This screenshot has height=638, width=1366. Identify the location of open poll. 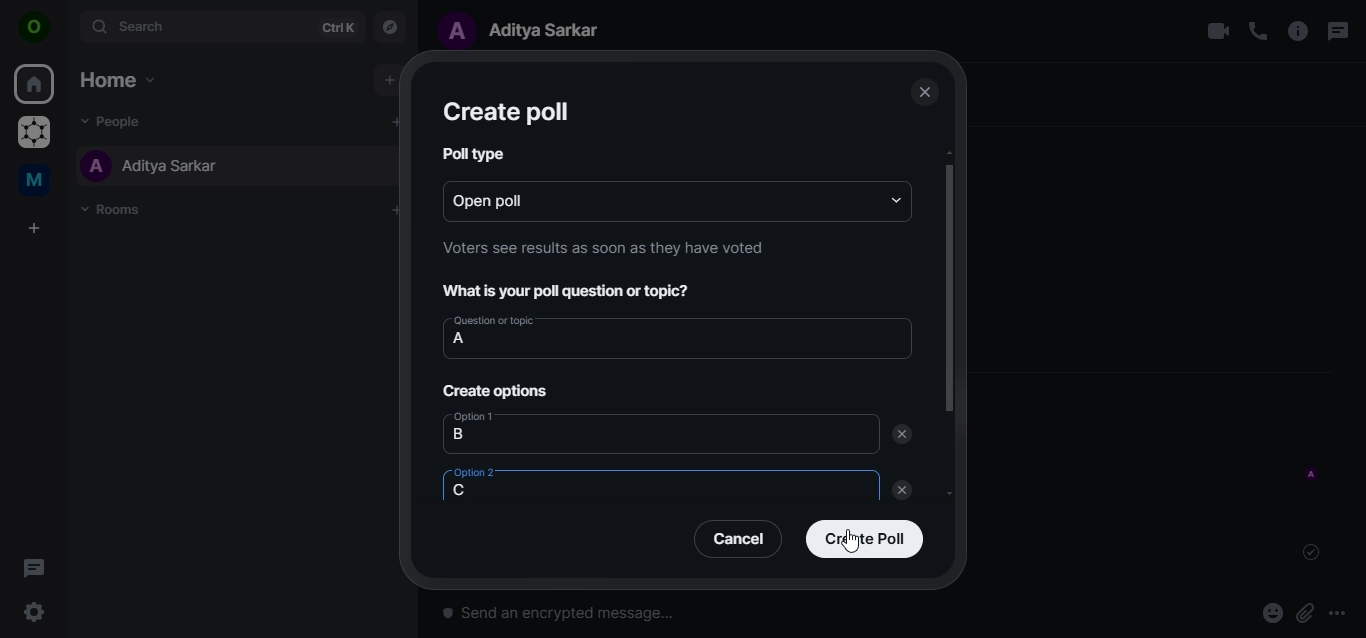
(513, 198).